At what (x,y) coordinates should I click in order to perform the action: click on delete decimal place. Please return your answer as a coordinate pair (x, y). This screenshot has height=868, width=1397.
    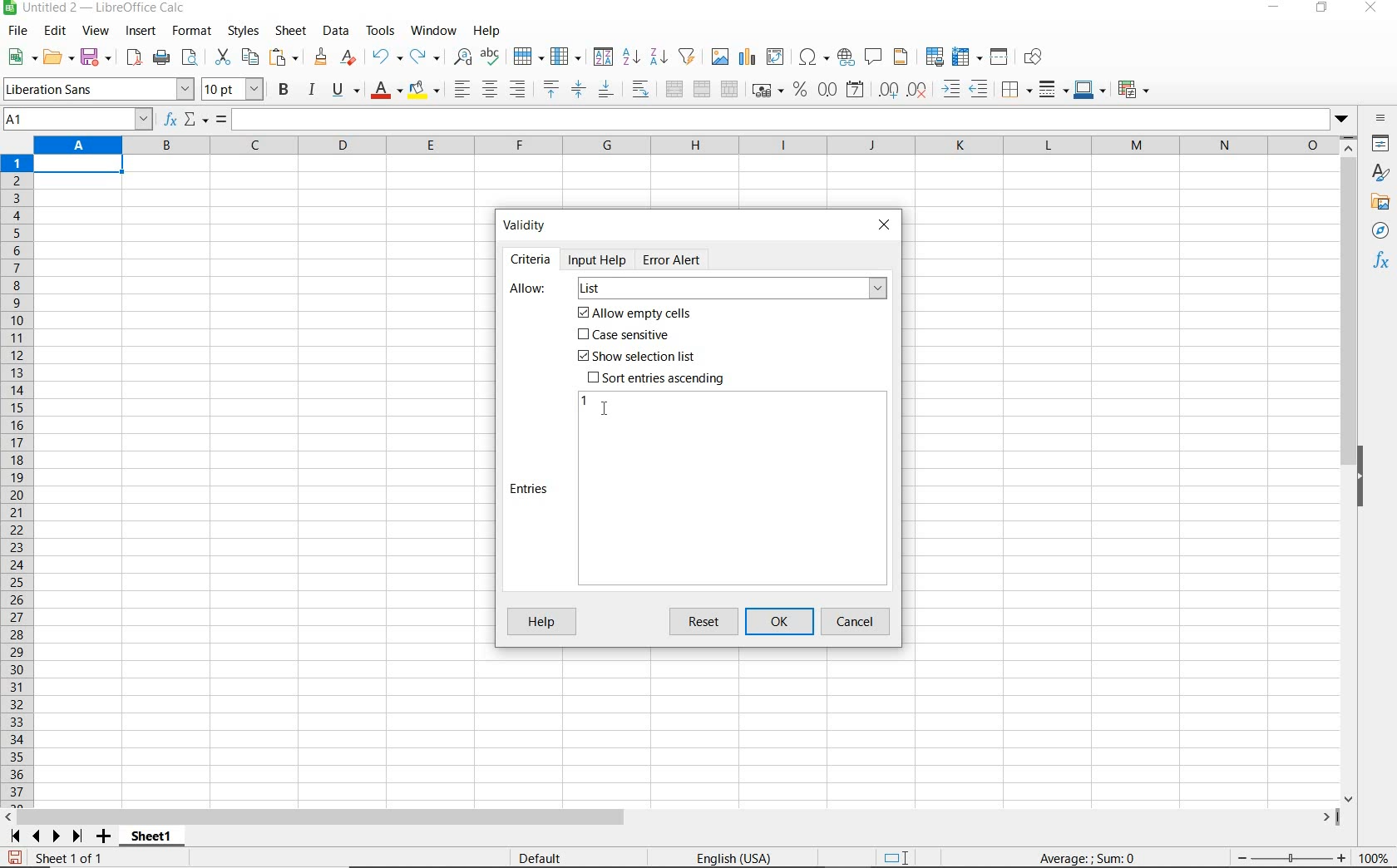
    Looking at the image, I should click on (918, 89).